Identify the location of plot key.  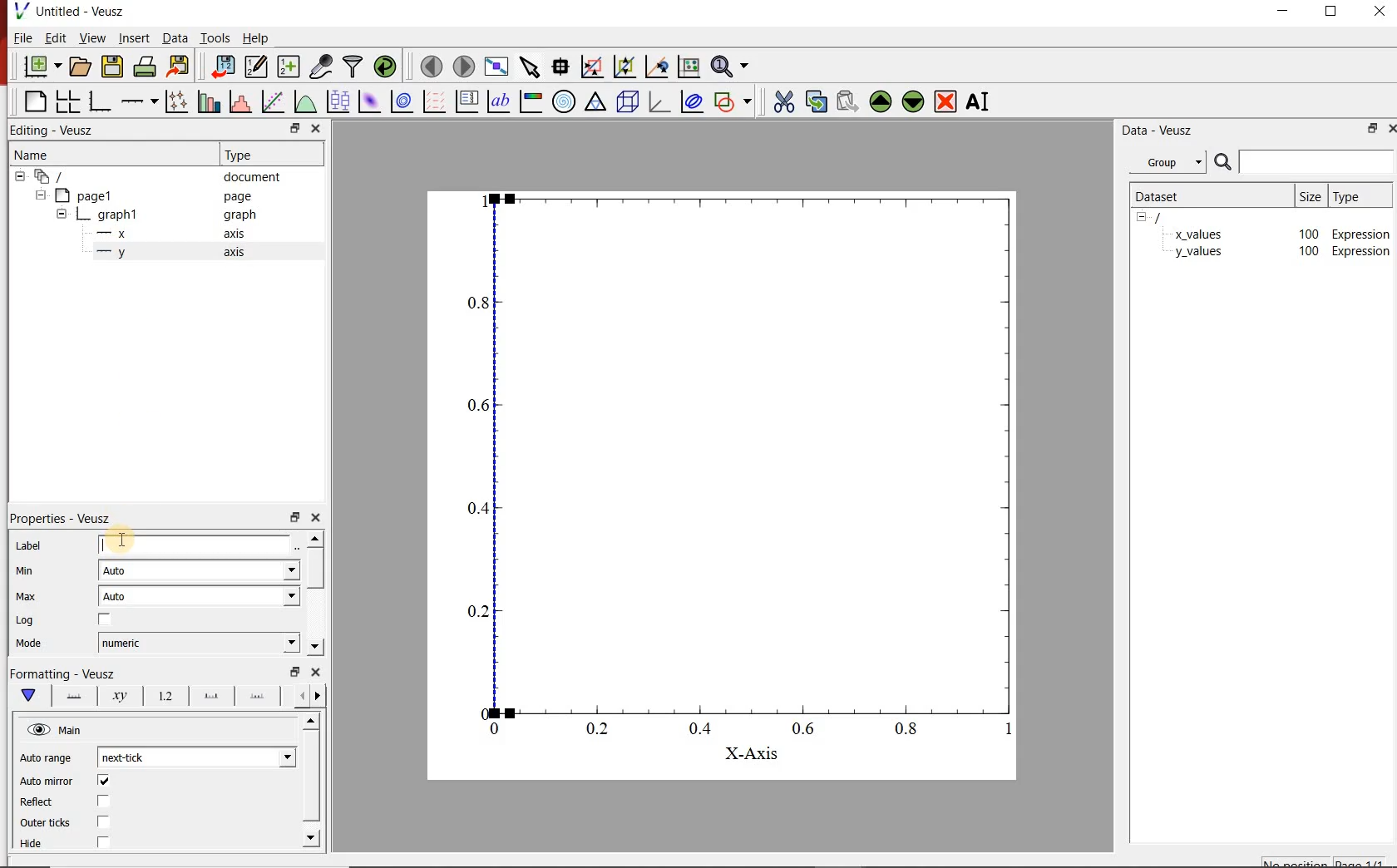
(468, 101).